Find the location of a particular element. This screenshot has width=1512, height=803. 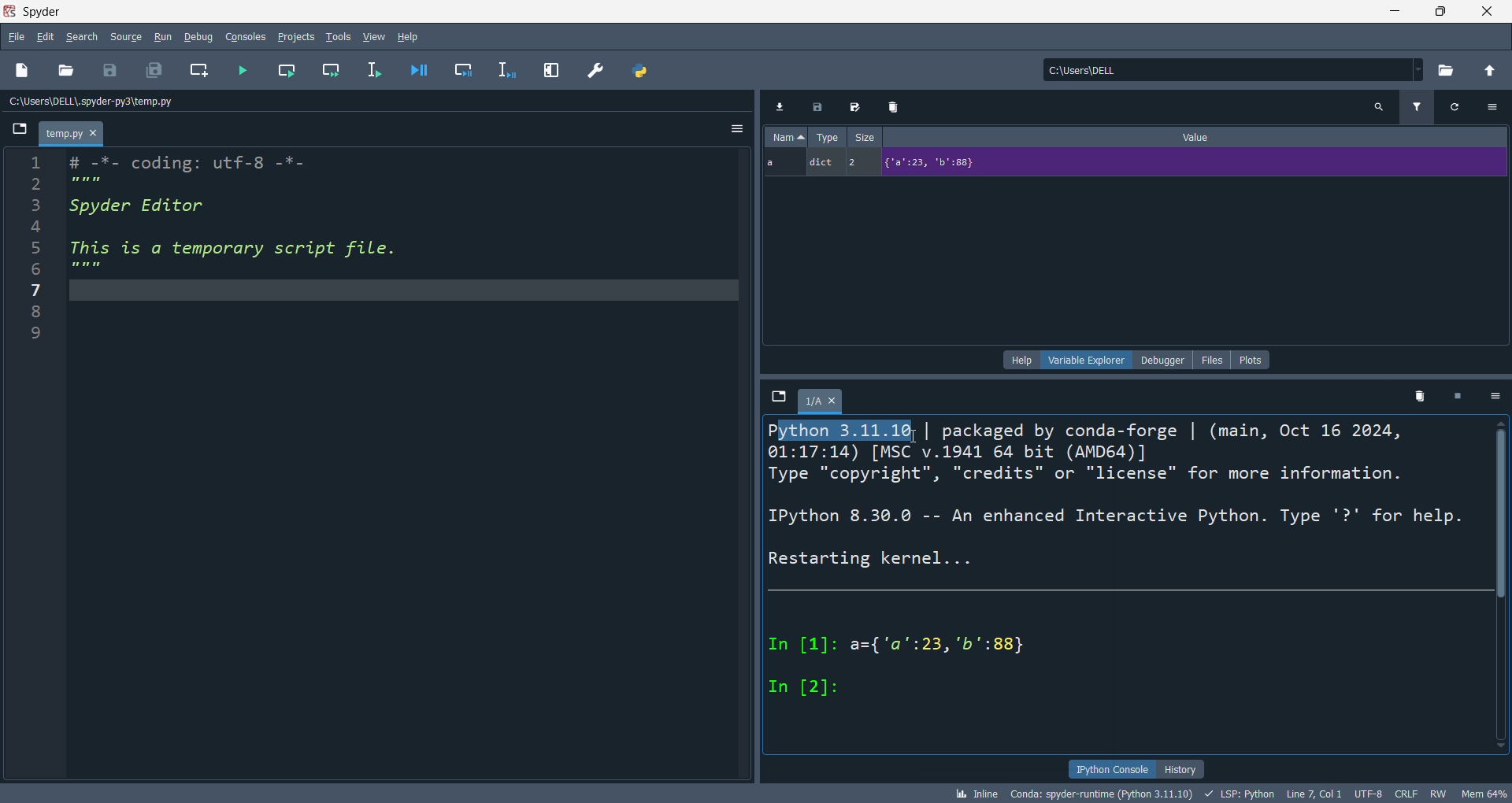

LINE 7, COL 1 is located at coordinates (1313, 794).